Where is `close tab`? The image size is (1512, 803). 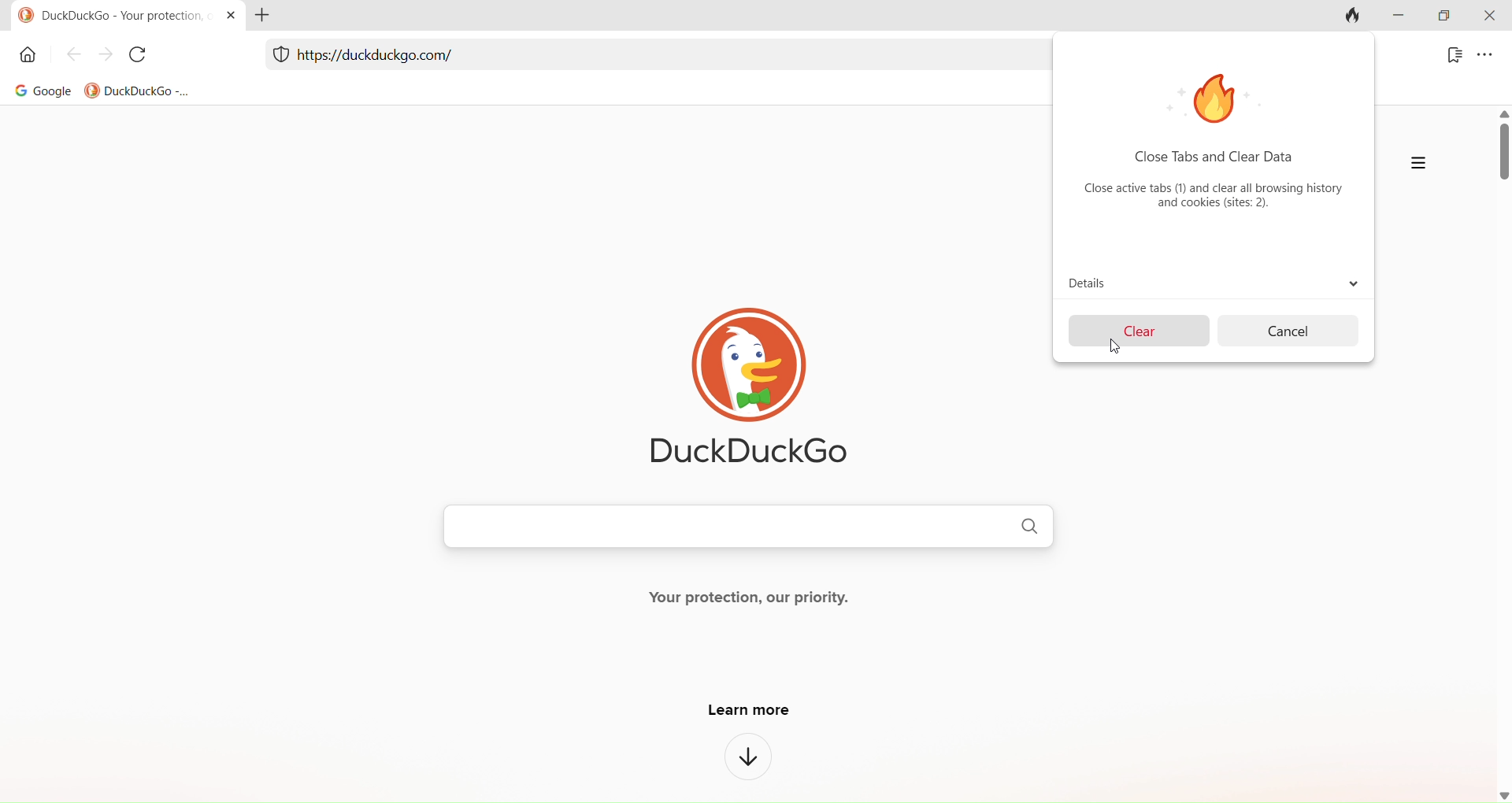
close tab is located at coordinates (226, 18).